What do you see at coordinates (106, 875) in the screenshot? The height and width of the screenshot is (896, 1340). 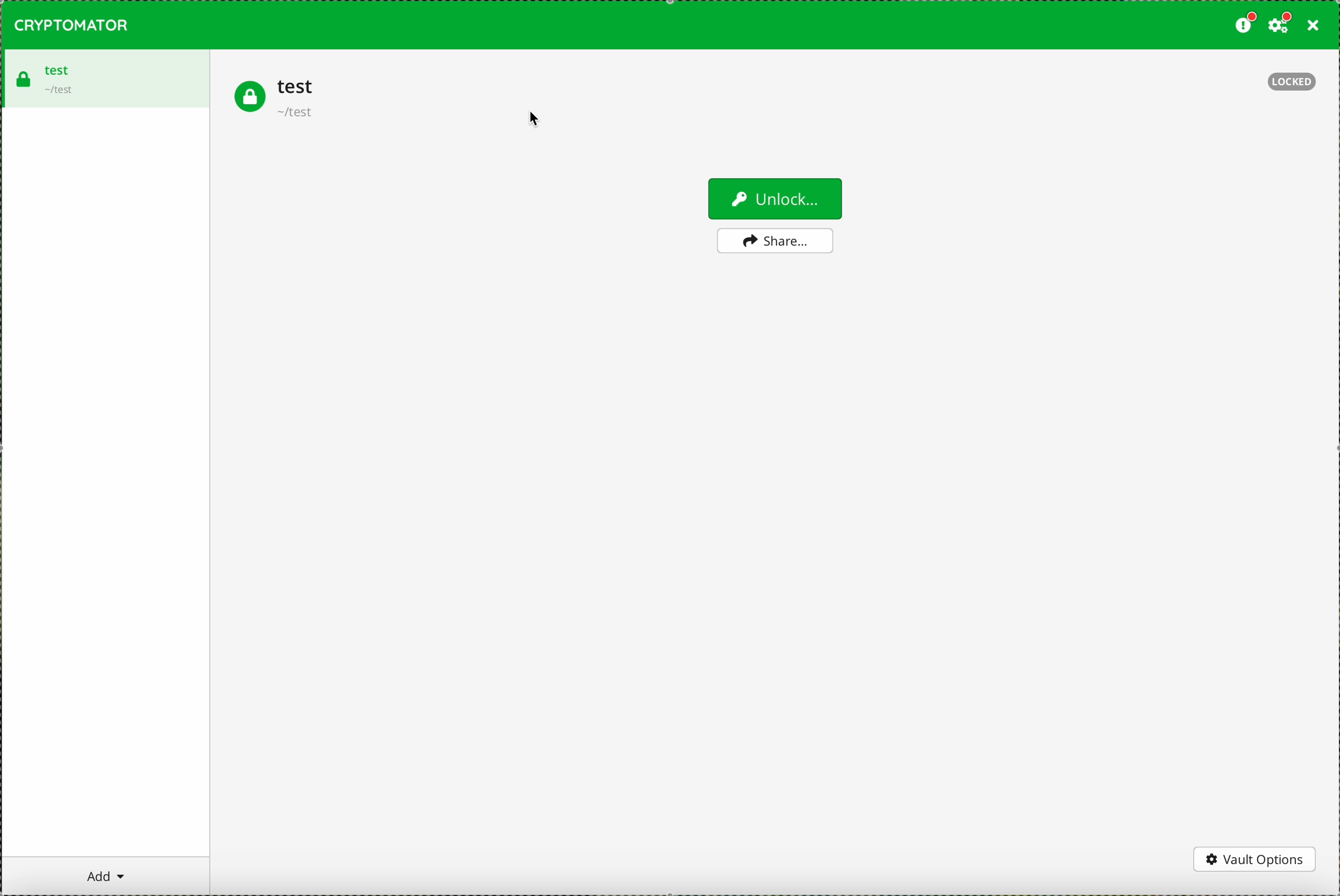 I see `add` at bounding box center [106, 875].